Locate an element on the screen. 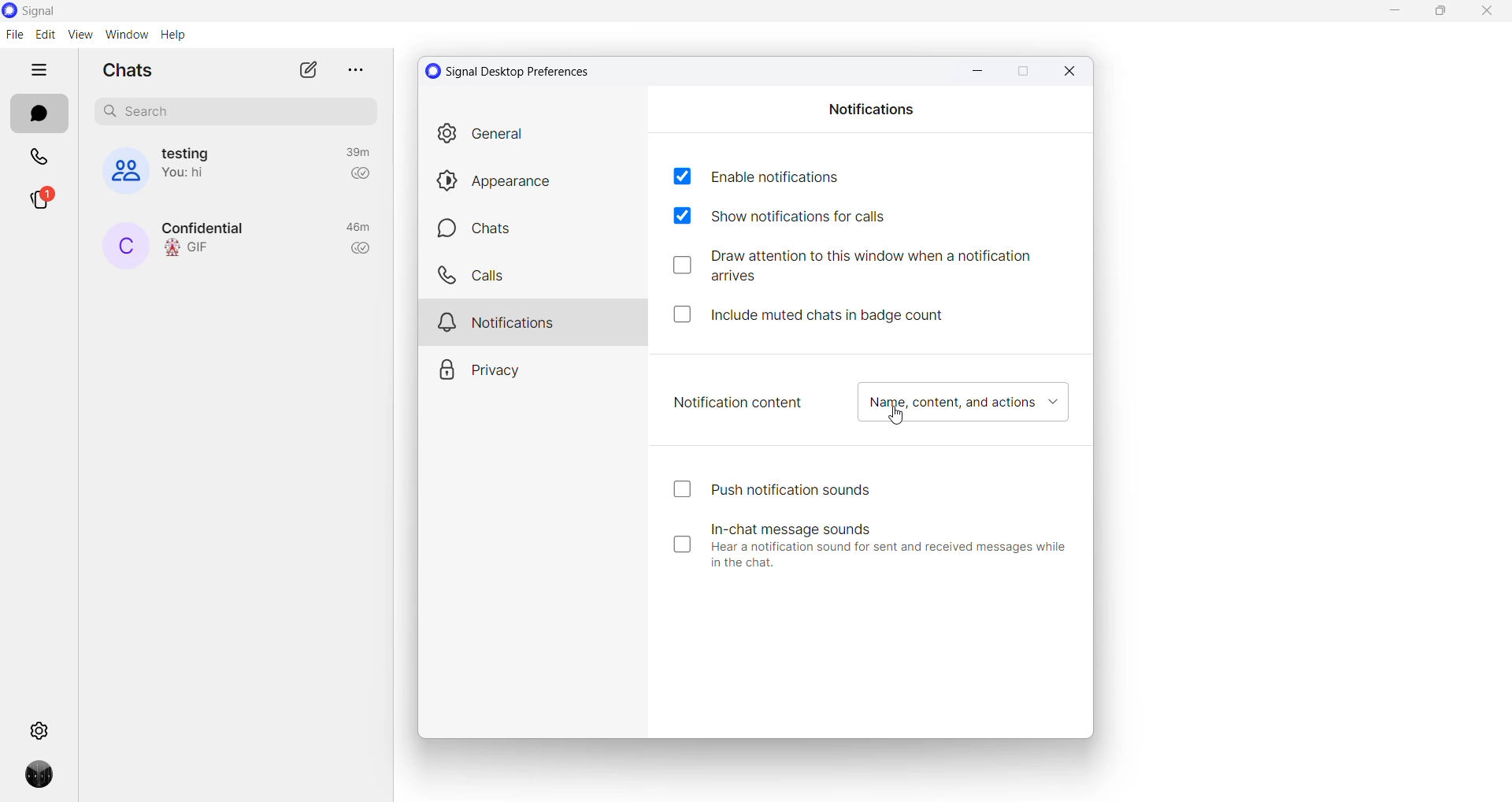 This screenshot has width=1512, height=802. Close is located at coordinates (1073, 72).